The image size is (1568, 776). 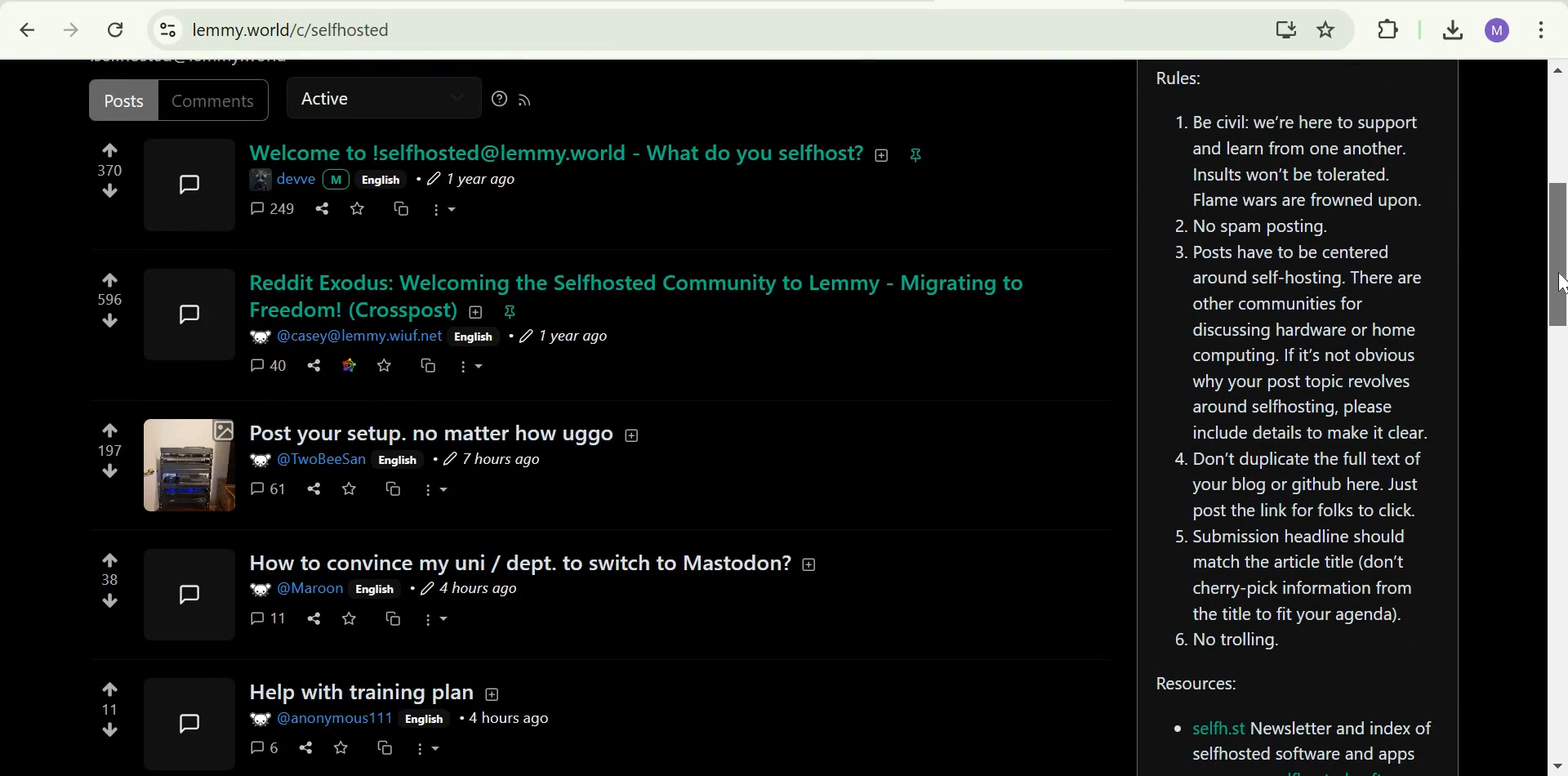 I want to click on expand here, so click(x=193, y=308).